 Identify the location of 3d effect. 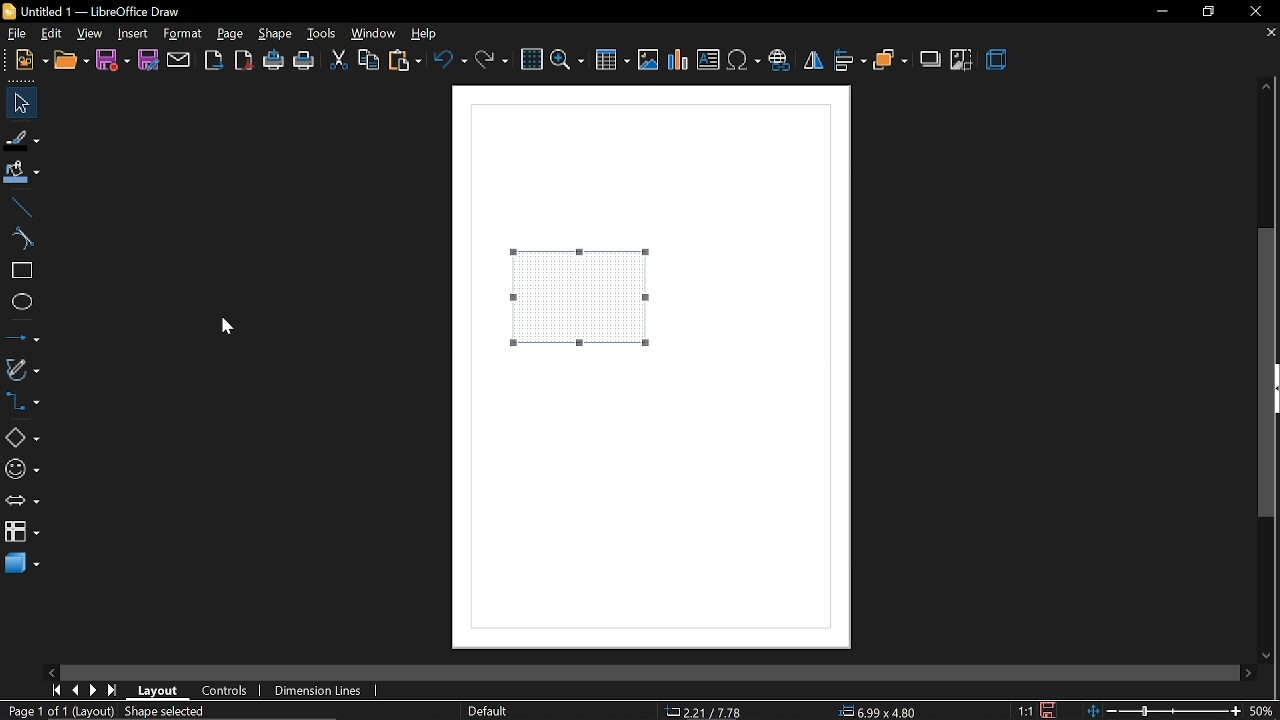
(1001, 61).